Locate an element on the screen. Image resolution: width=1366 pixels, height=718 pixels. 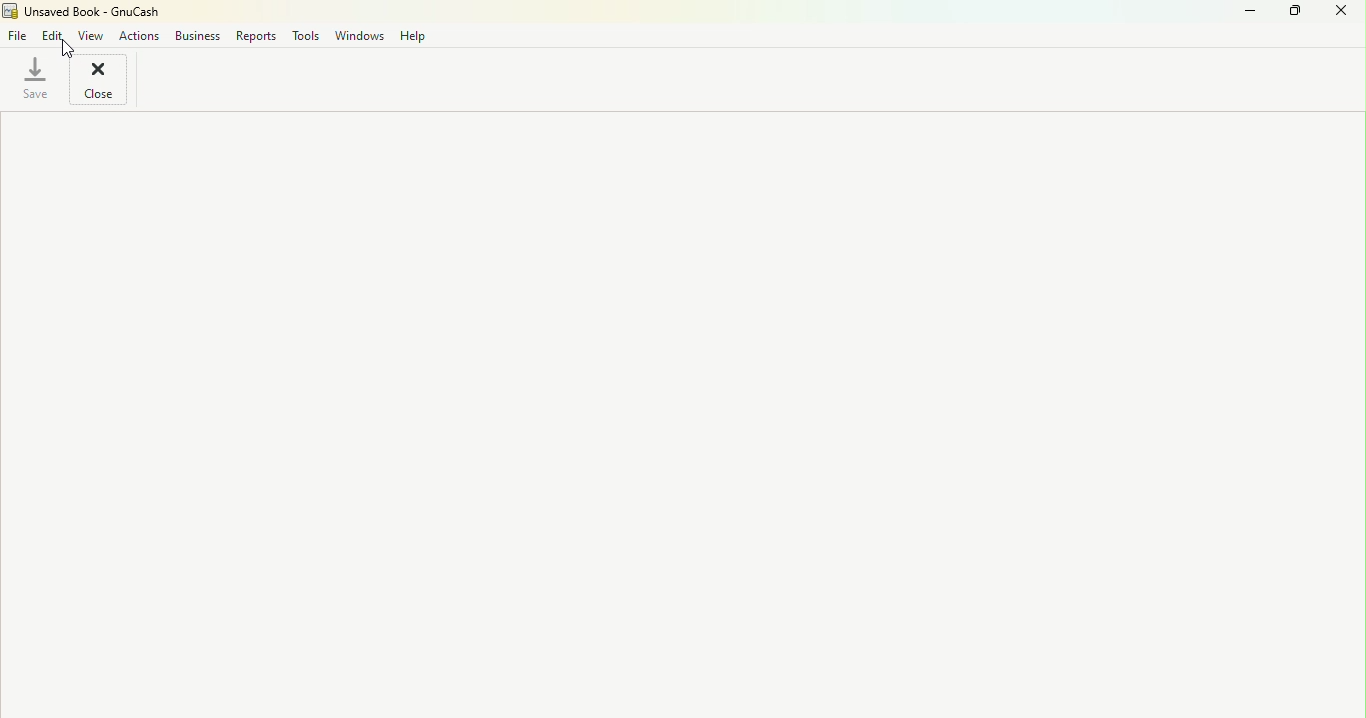
Edit is located at coordinates (52, 36).